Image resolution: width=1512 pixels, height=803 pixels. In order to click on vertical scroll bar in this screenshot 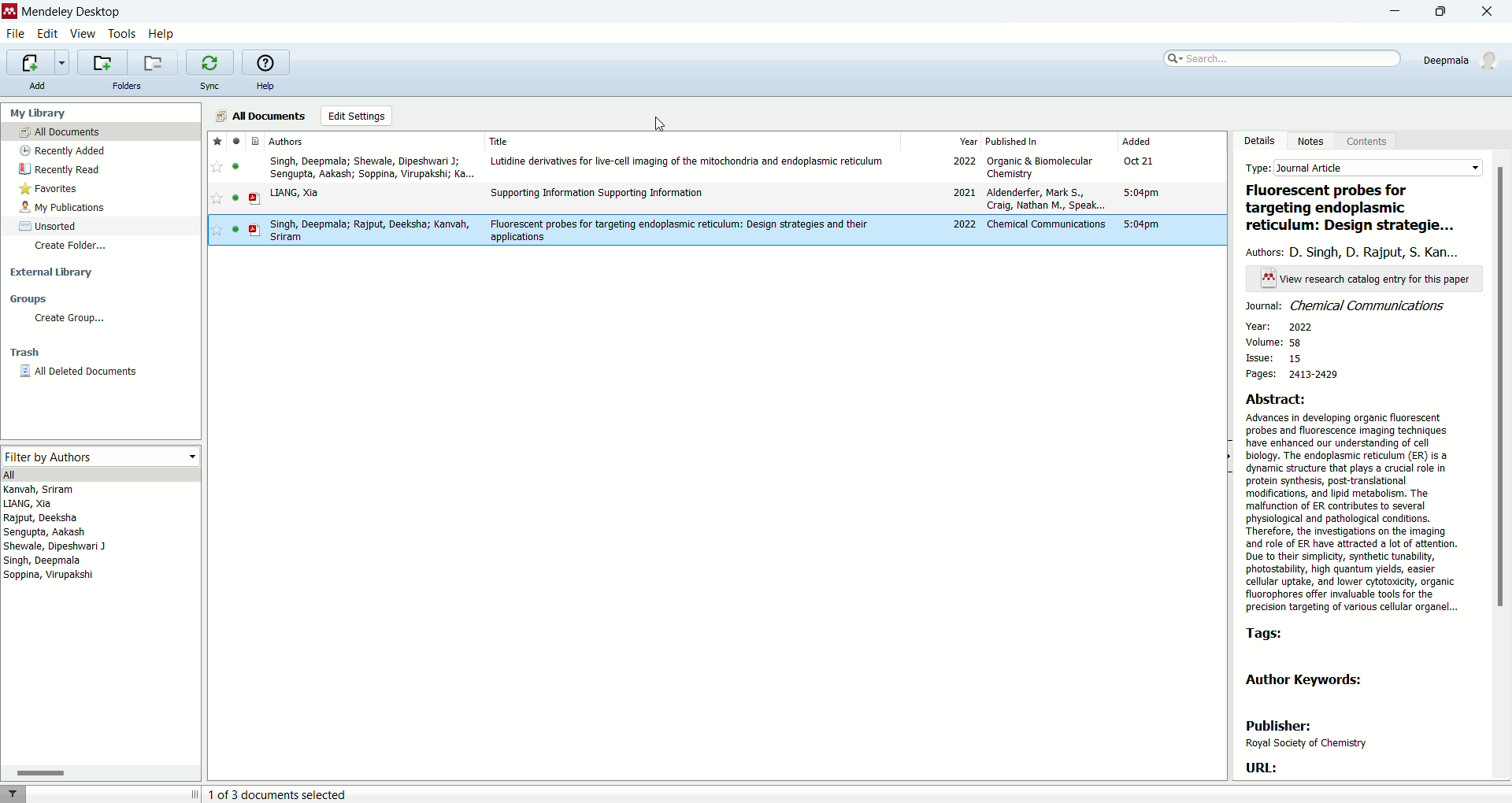, I will do `click(1503, 465)`.